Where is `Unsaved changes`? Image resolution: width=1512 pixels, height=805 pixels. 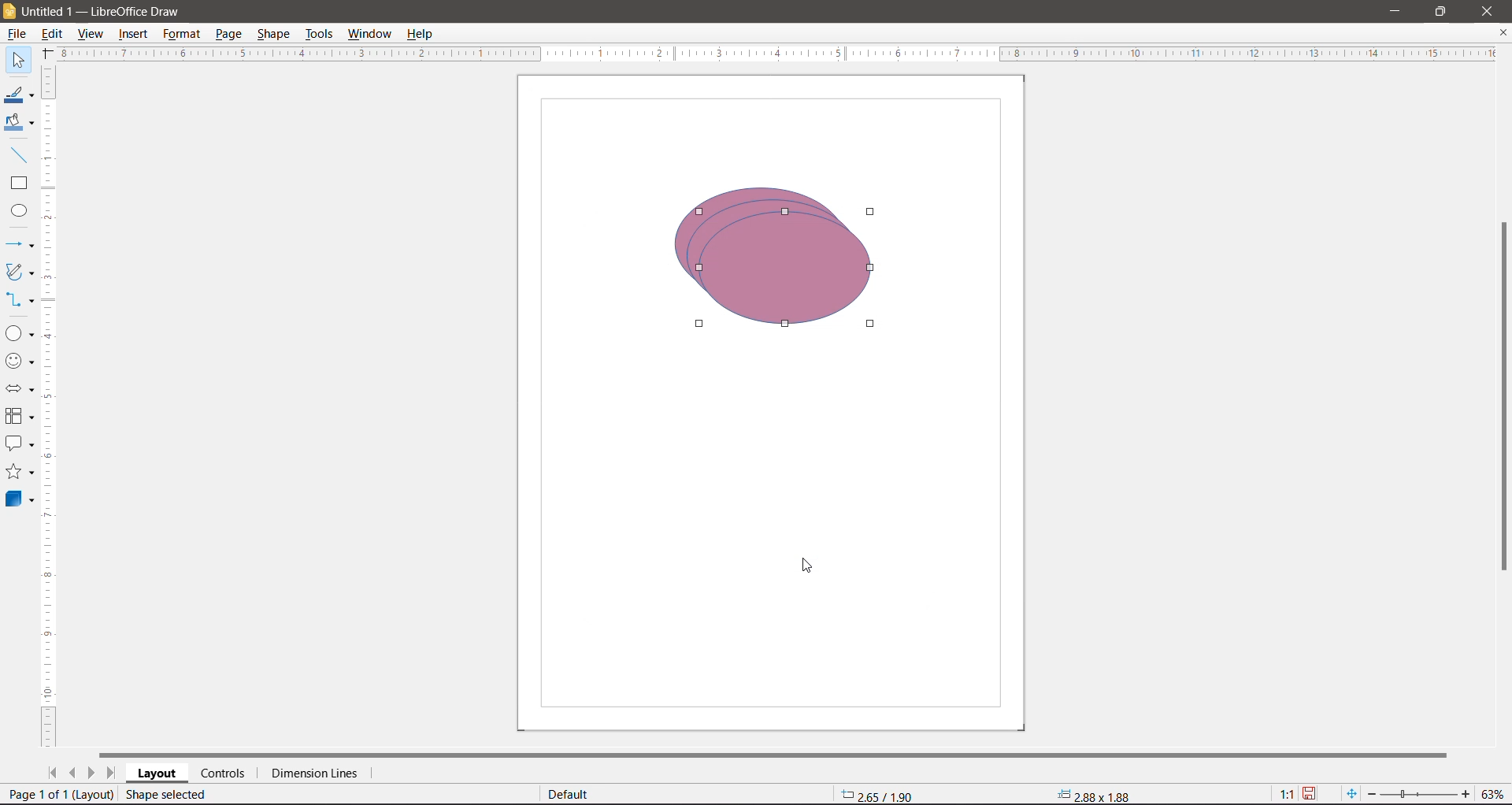
Unsaved changes is located at coordinates (1310, 795).